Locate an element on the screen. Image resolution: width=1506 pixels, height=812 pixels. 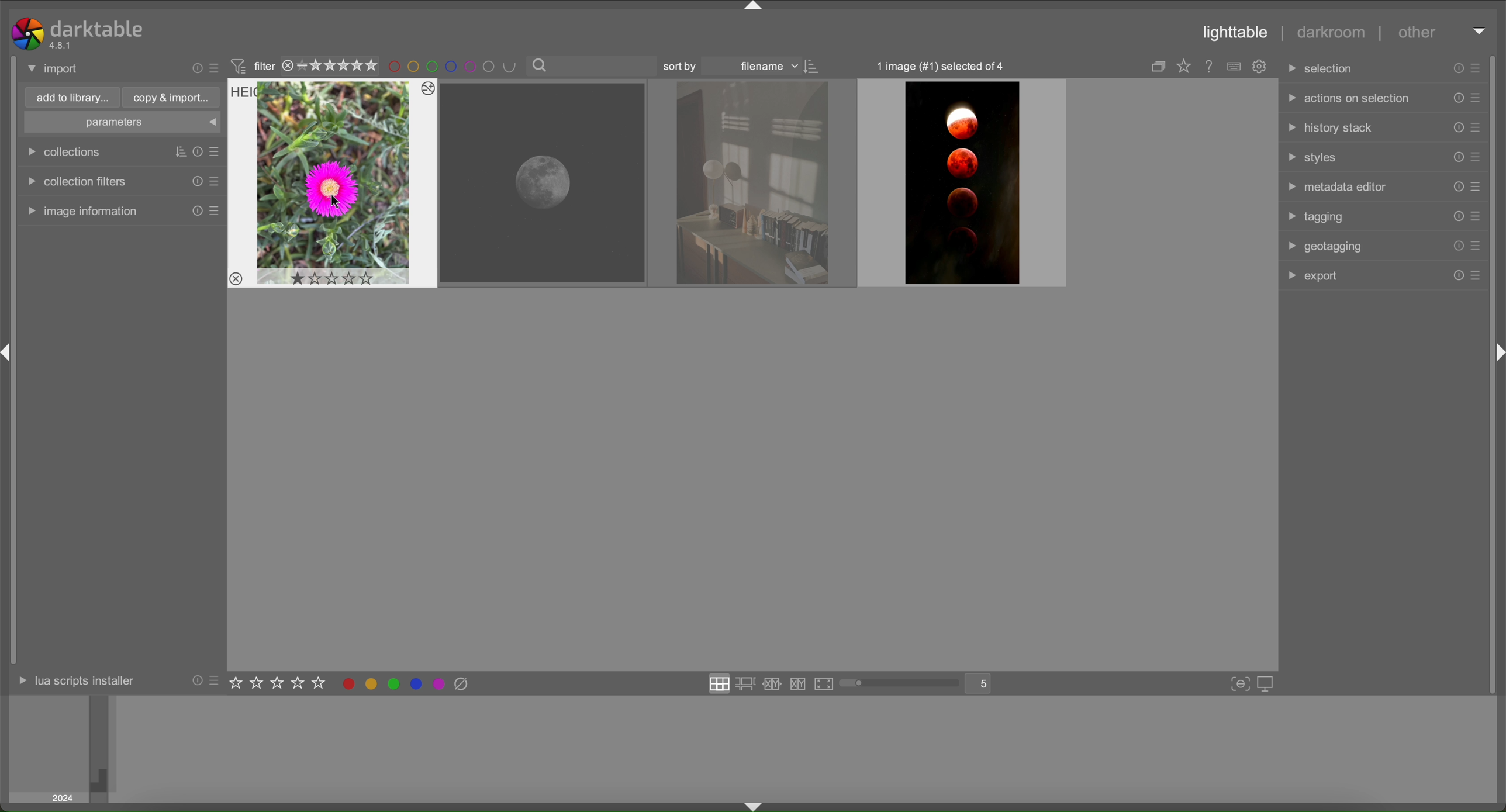
presets is located at coordinates (1475, 68).